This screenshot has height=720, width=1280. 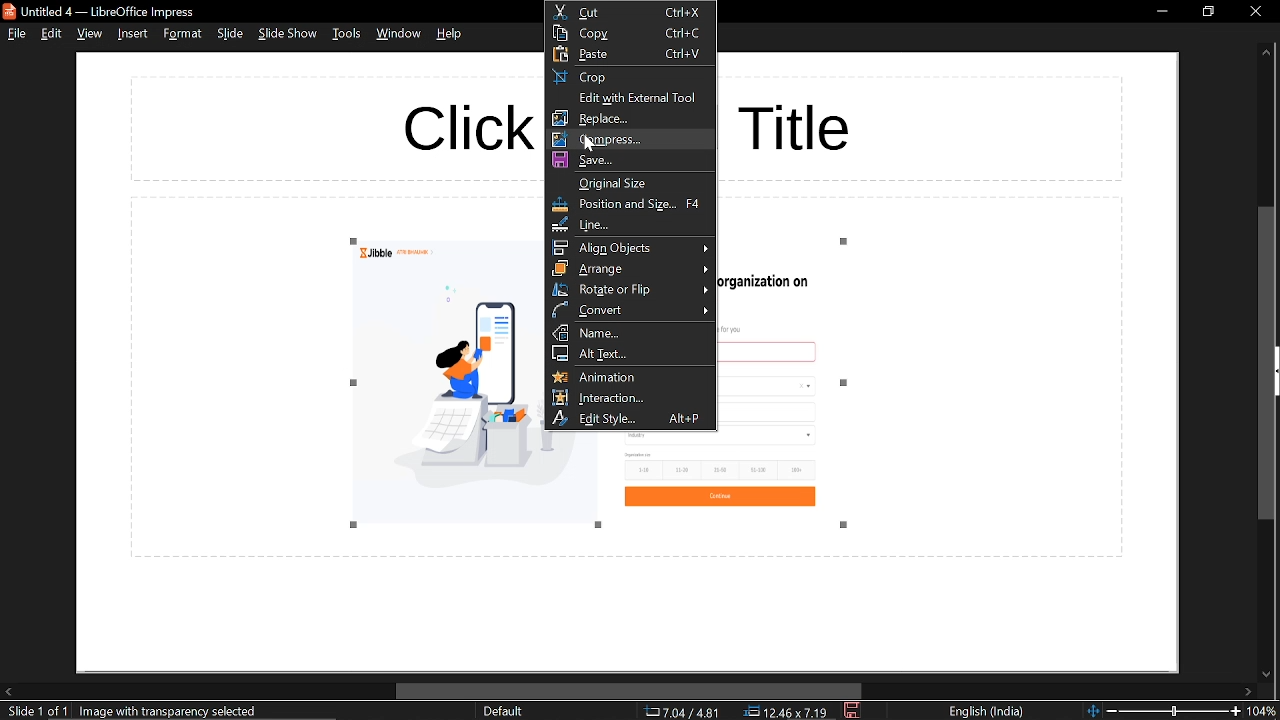 I want to click on replace, so click(x=630, y=119).